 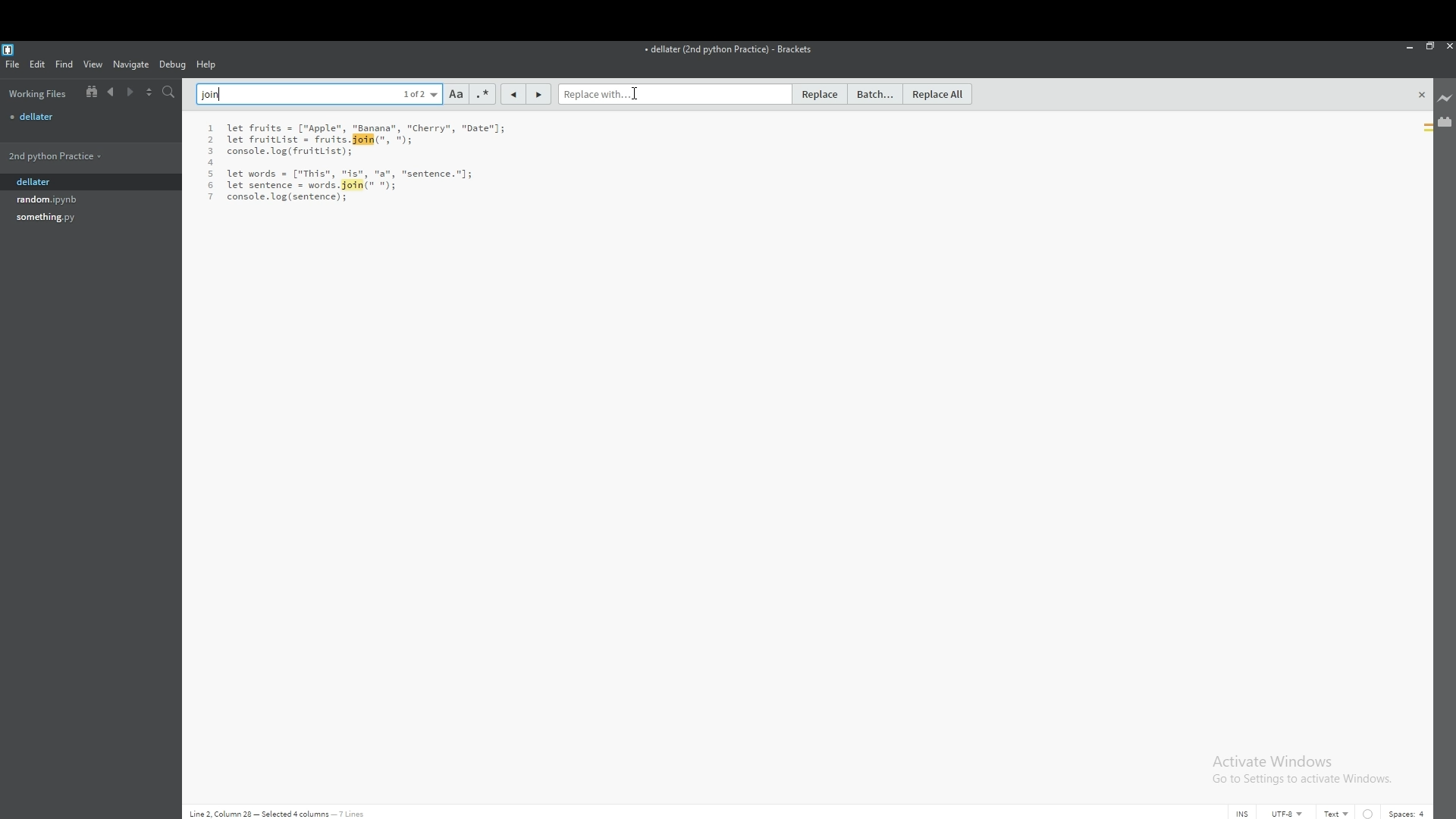 I want to click on folder, so click(x=69, y=155).